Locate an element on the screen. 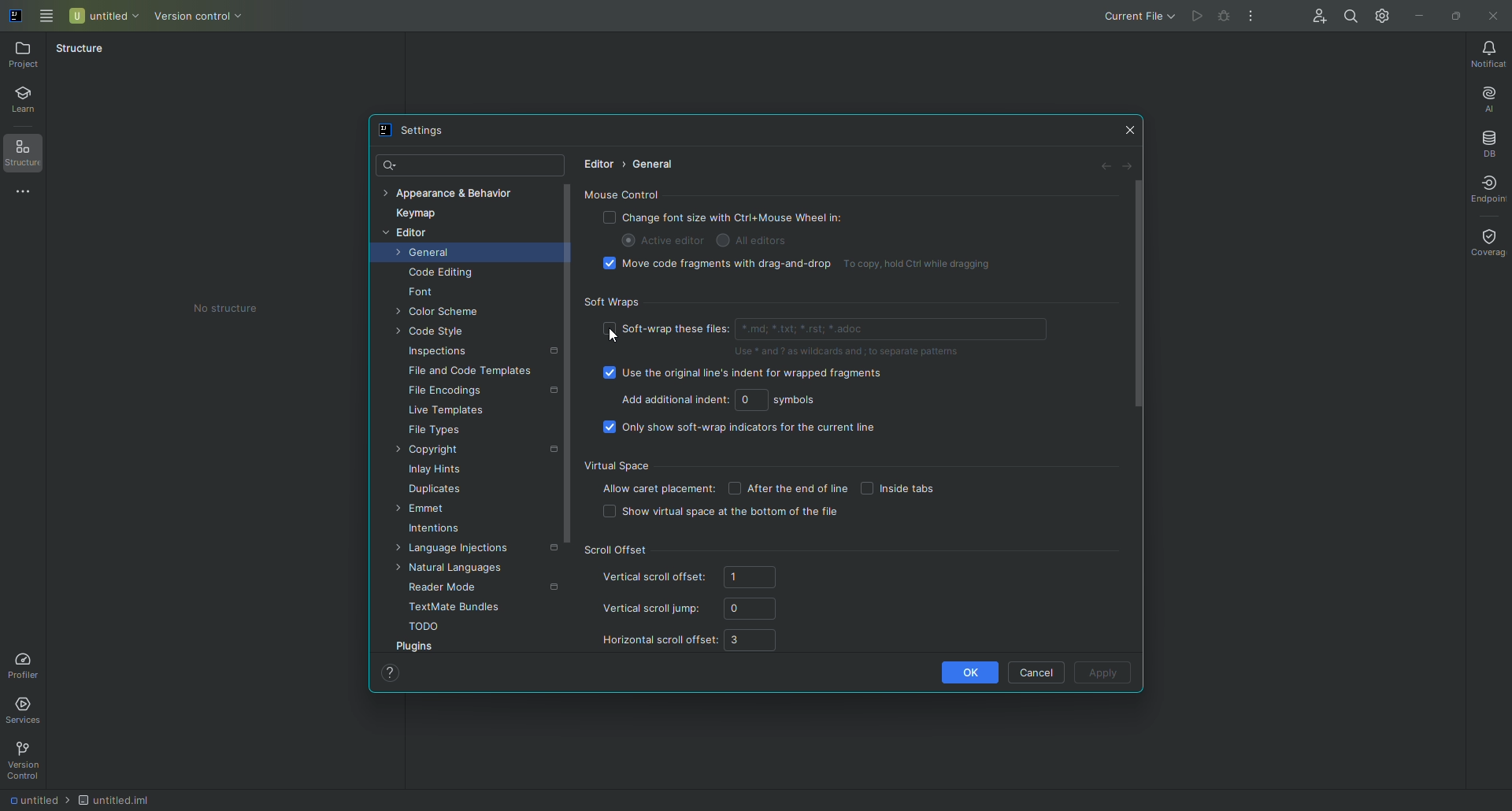 The height and width of the screenshot is (811, 1512). Search is located at coordinates (1351, 17).